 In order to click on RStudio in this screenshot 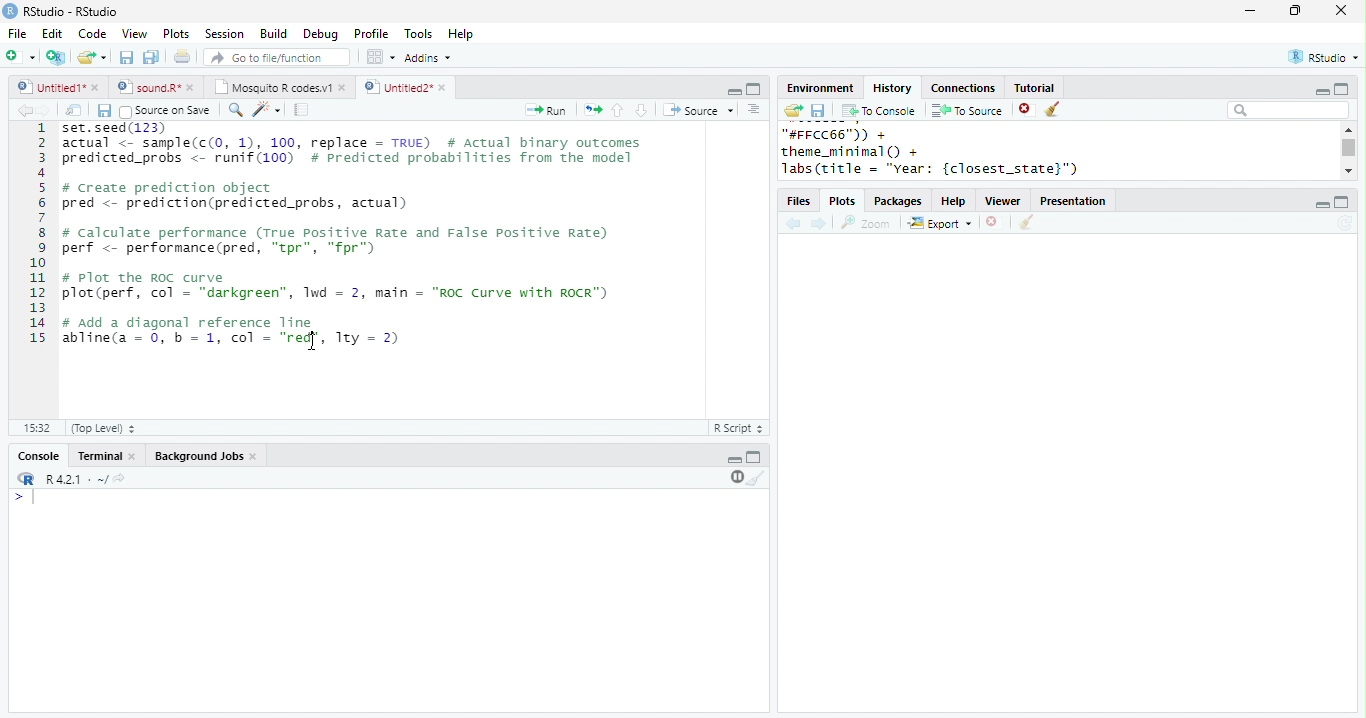, I will do `click(1326, 56)`.